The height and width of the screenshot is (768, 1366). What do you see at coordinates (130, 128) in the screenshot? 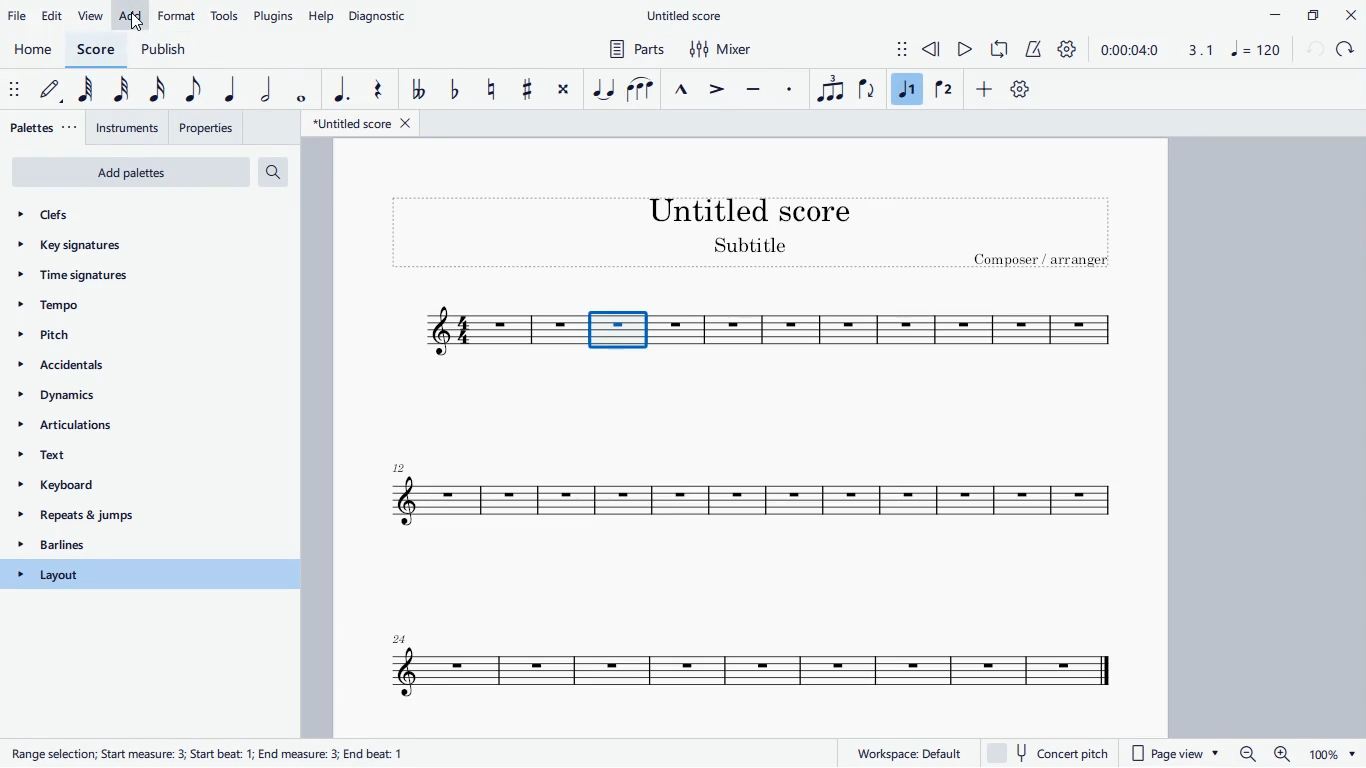
I see `instruments` at bounding box center [130, 128].